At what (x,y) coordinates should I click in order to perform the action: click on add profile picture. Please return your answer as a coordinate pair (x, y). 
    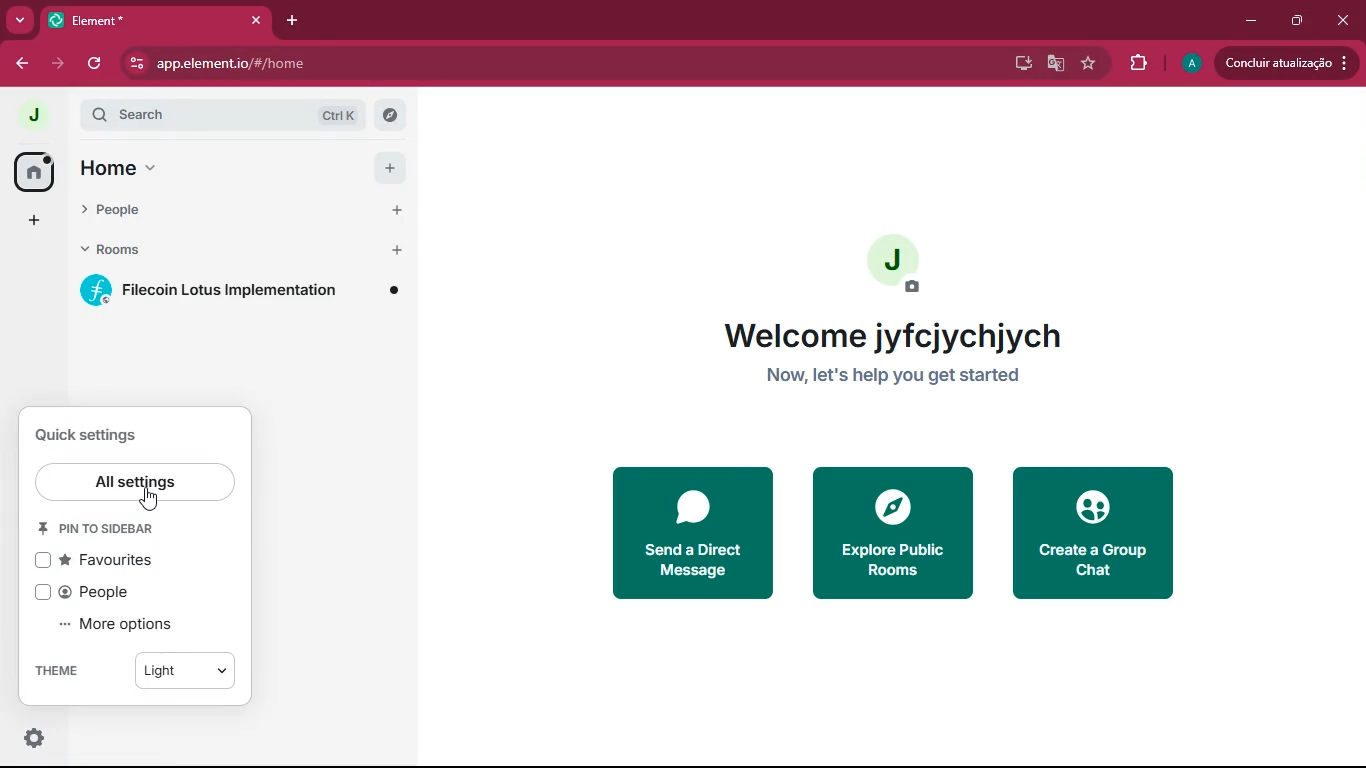
    Looking at the image, I should click on (896, 267).